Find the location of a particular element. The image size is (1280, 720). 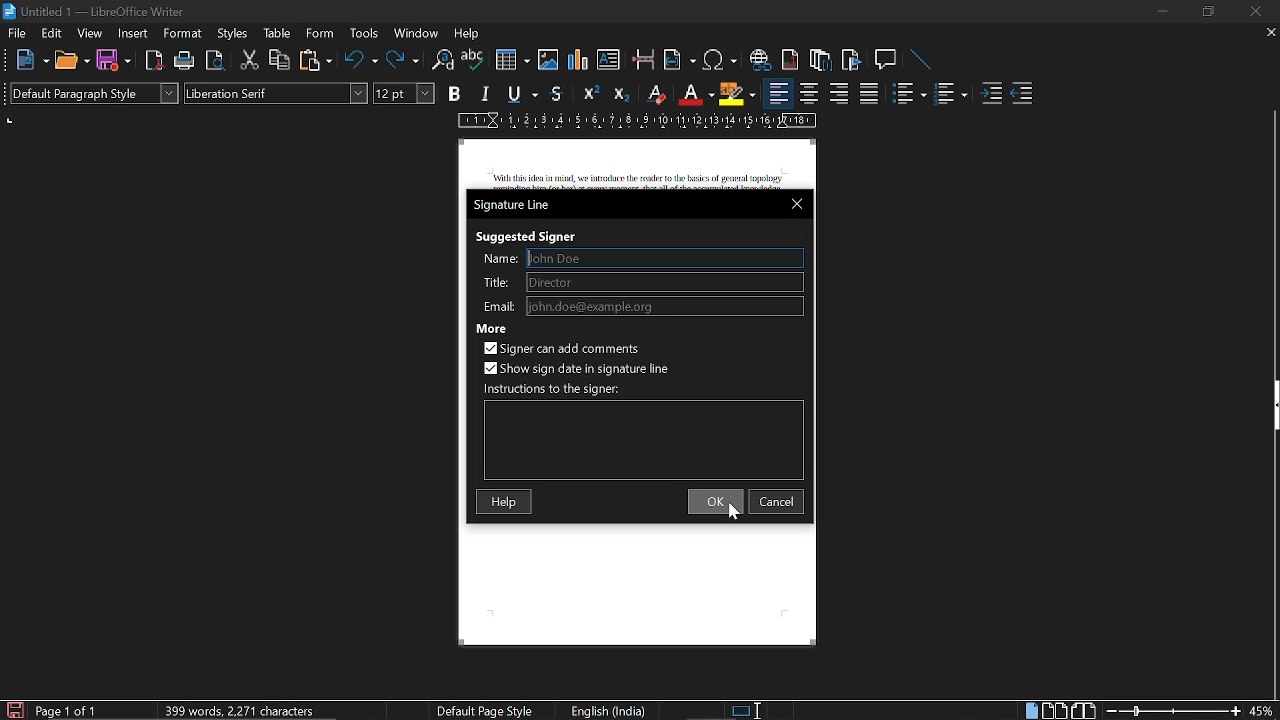

current window is located at coordinates (517, 205).